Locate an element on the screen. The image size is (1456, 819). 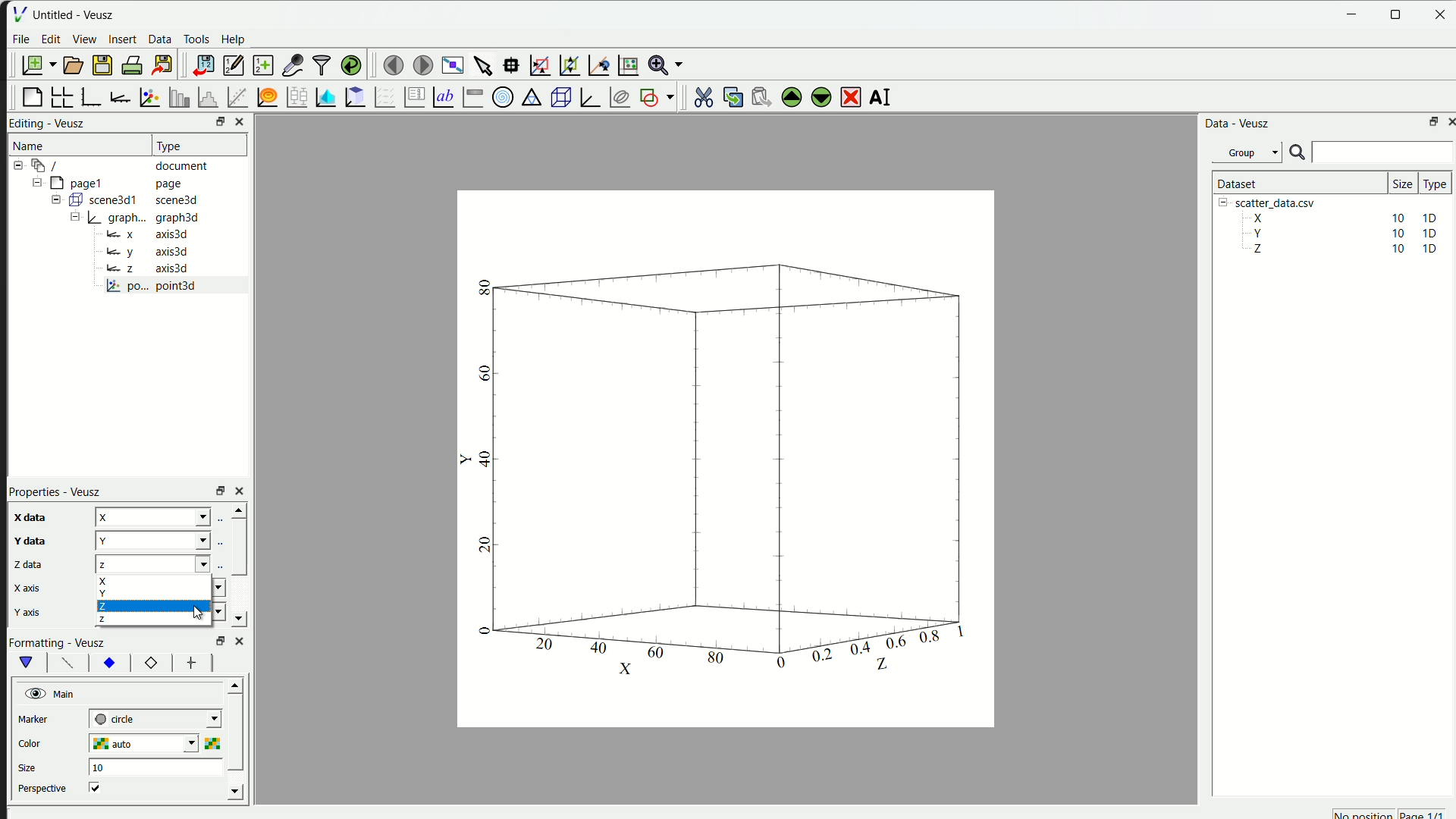
Veusz is located at coordinates (71, 122).